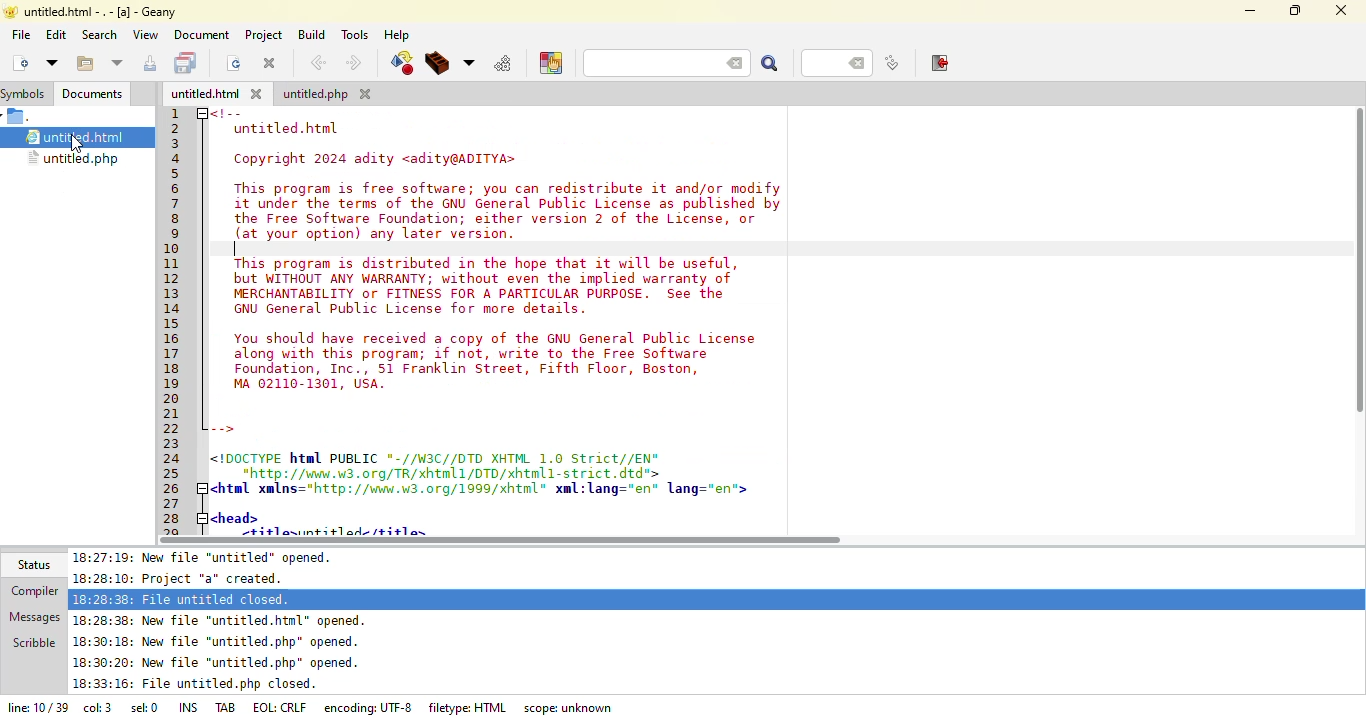  Describe the element at coordinates (893, 63) in the screenshot. I see `jump to entered line number` at that location.